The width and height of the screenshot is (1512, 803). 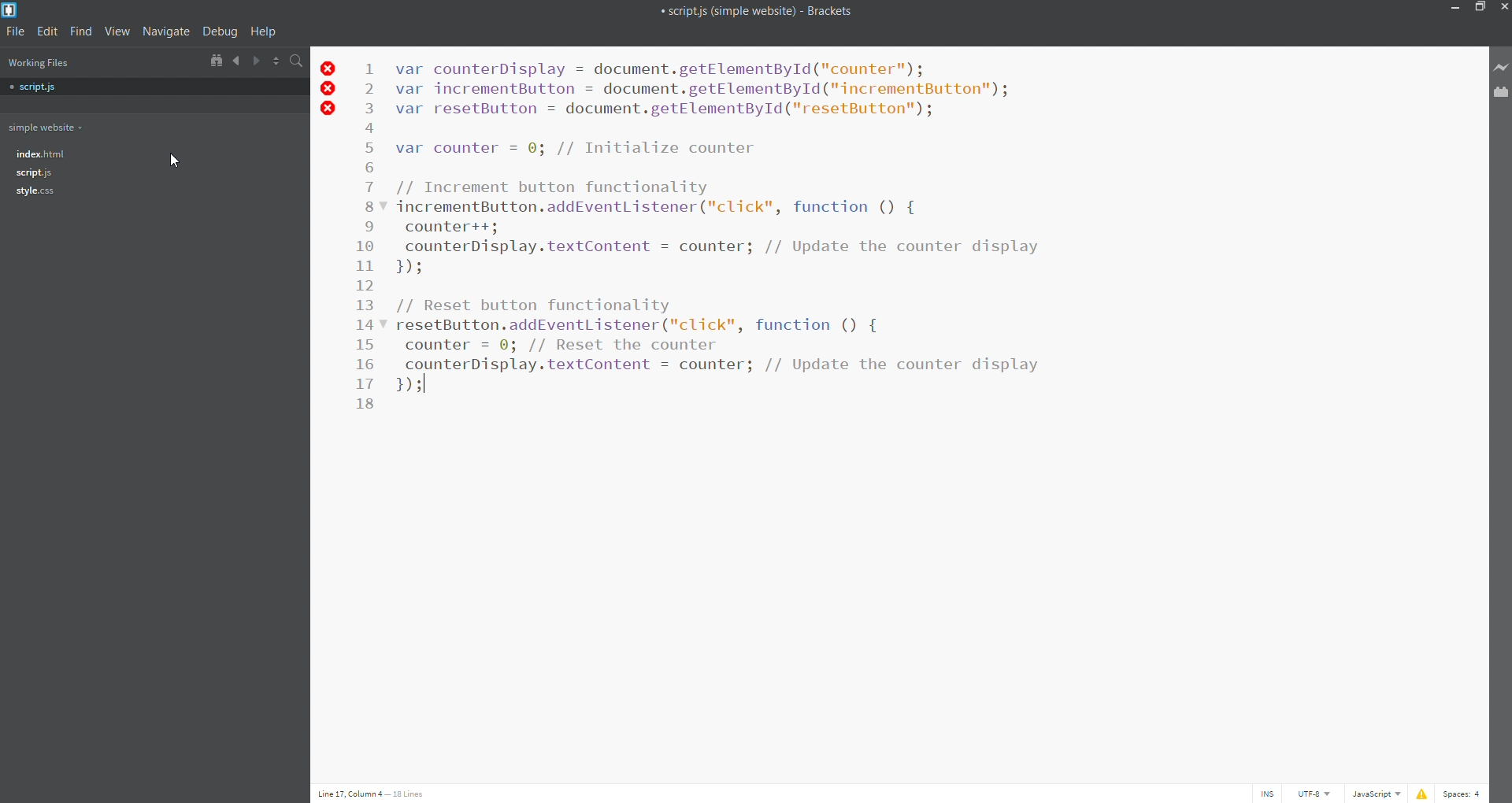 I want to click on show errors, so click(x=1422, y=794).